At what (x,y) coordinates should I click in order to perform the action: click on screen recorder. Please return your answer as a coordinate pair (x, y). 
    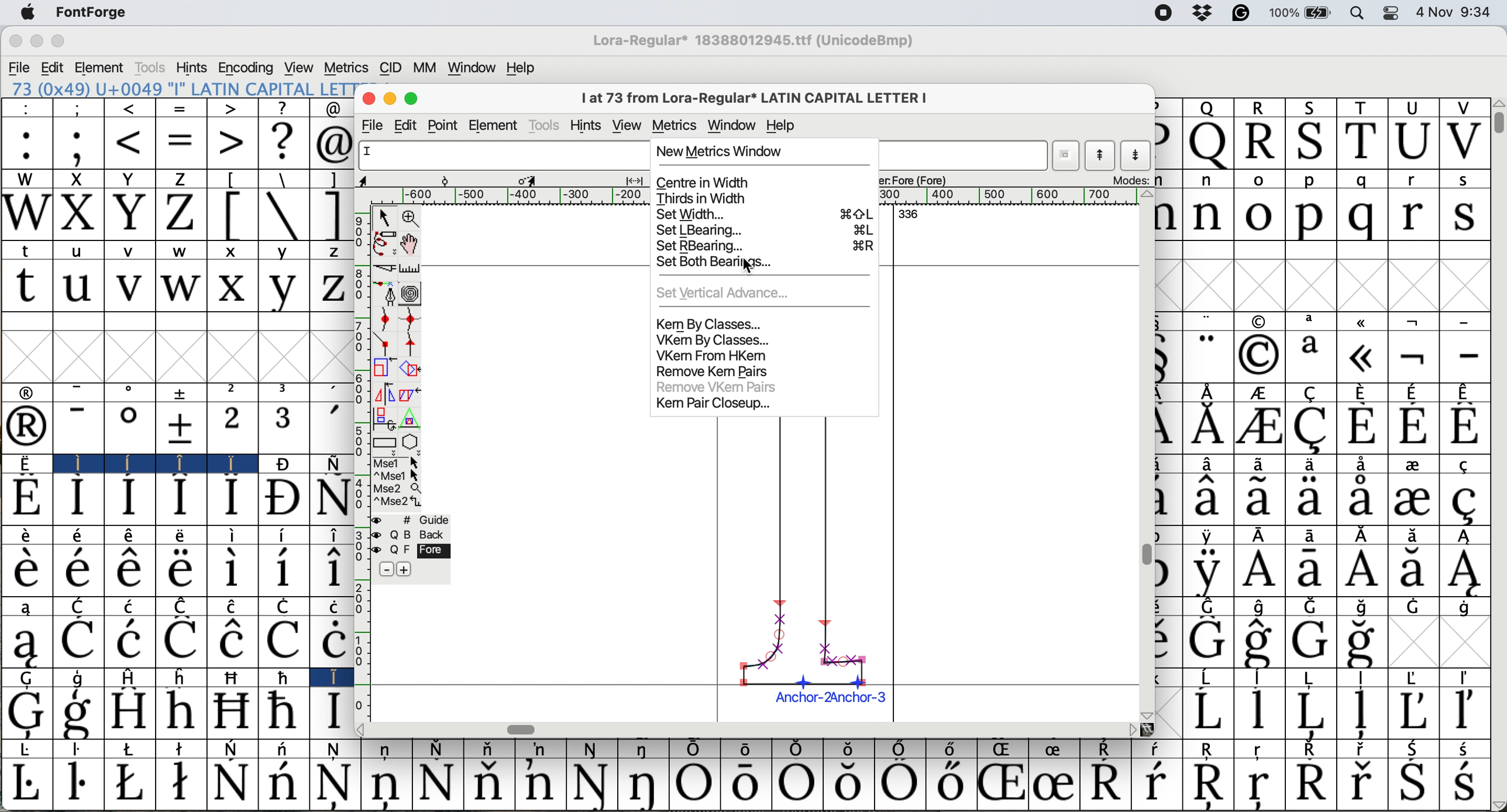
    Looking at the image, I should click on (1162, 14).